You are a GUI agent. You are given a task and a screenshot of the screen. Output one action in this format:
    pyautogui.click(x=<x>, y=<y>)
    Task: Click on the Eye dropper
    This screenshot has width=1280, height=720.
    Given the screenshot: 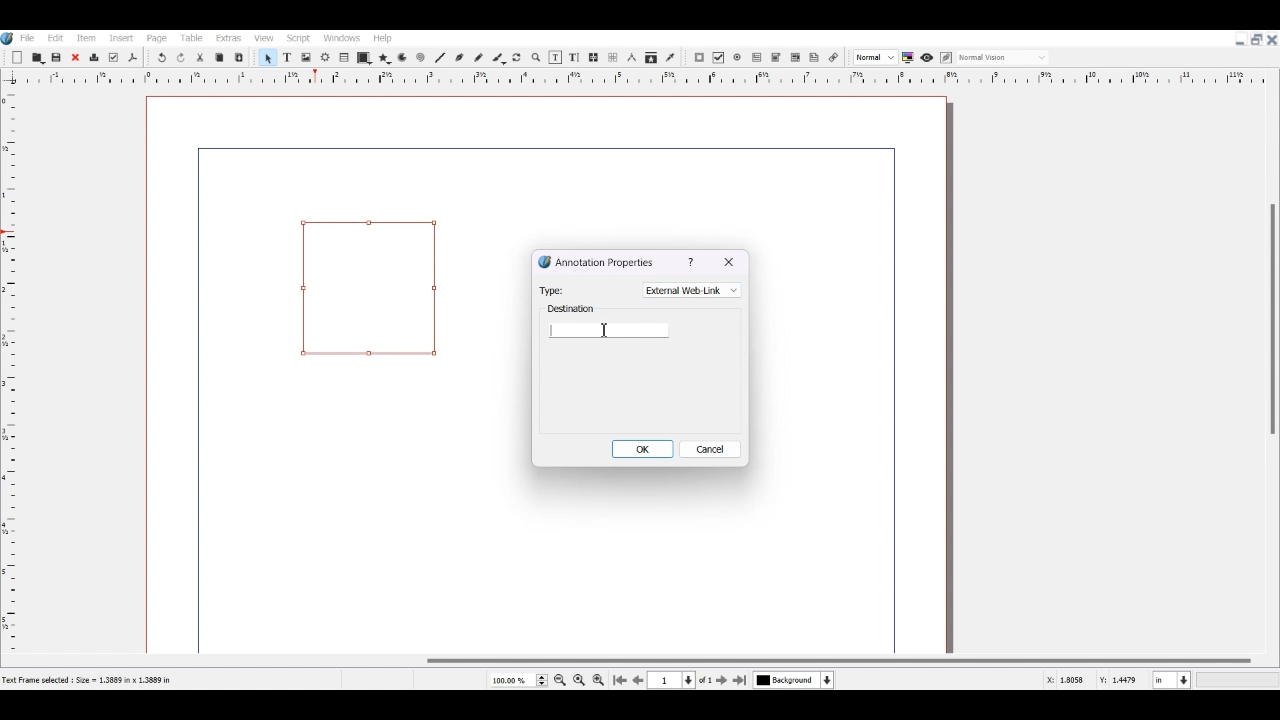 What is the action you would take?
    pyautogui.click(x=670, y=57)
    